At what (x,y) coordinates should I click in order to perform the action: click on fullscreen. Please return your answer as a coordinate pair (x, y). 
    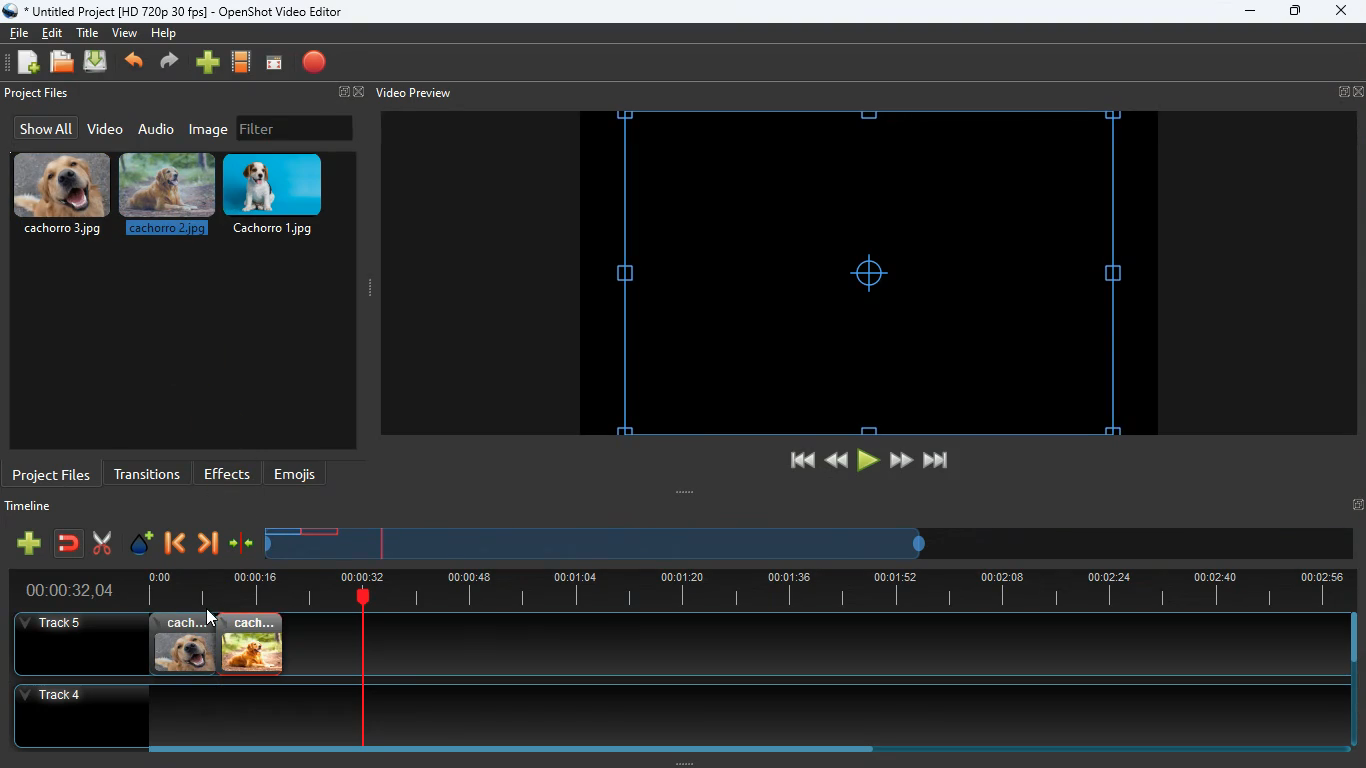
    Looking at the image, I should click on (1351, 92).